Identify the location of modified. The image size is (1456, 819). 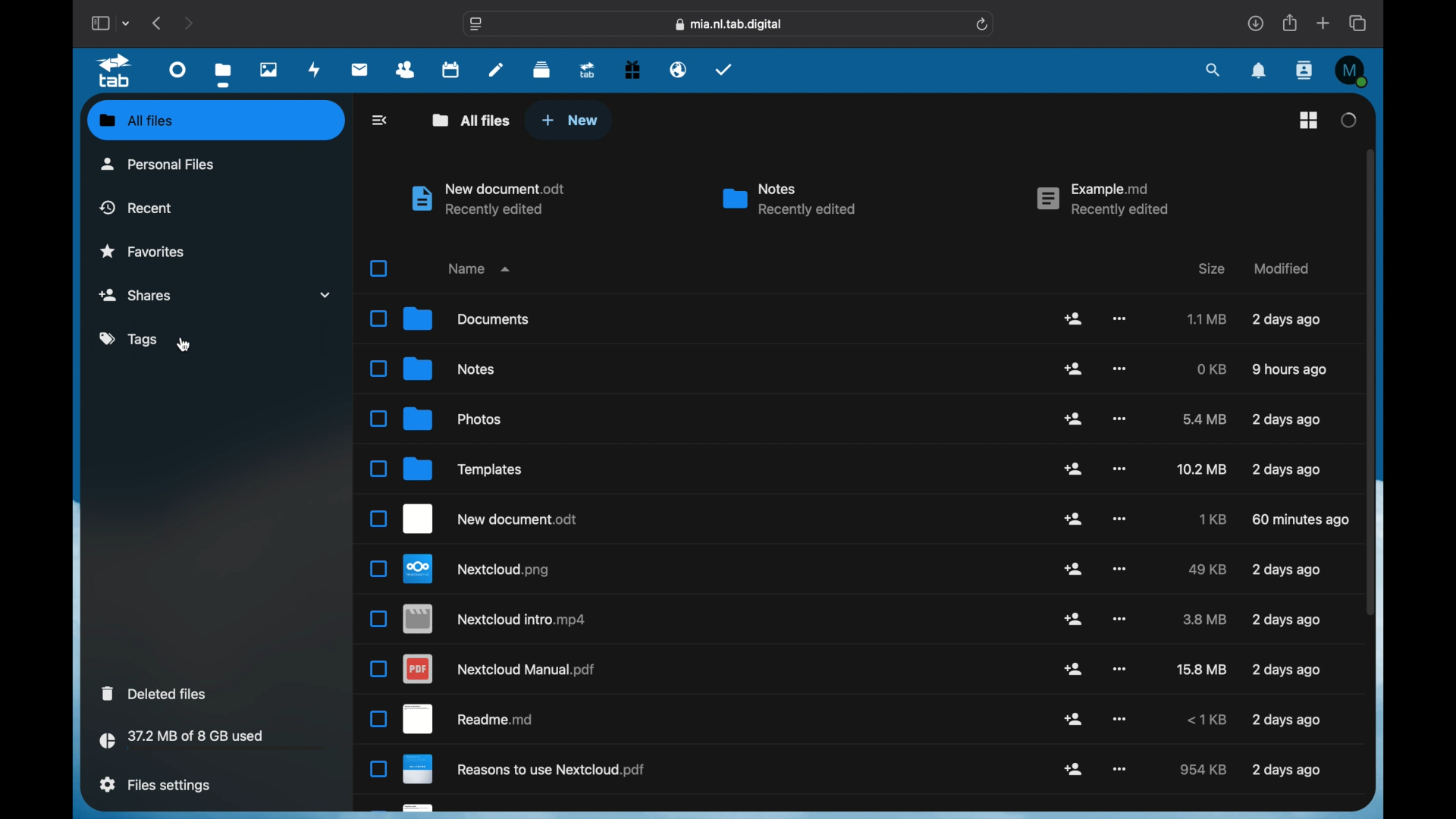
(1285, 720).